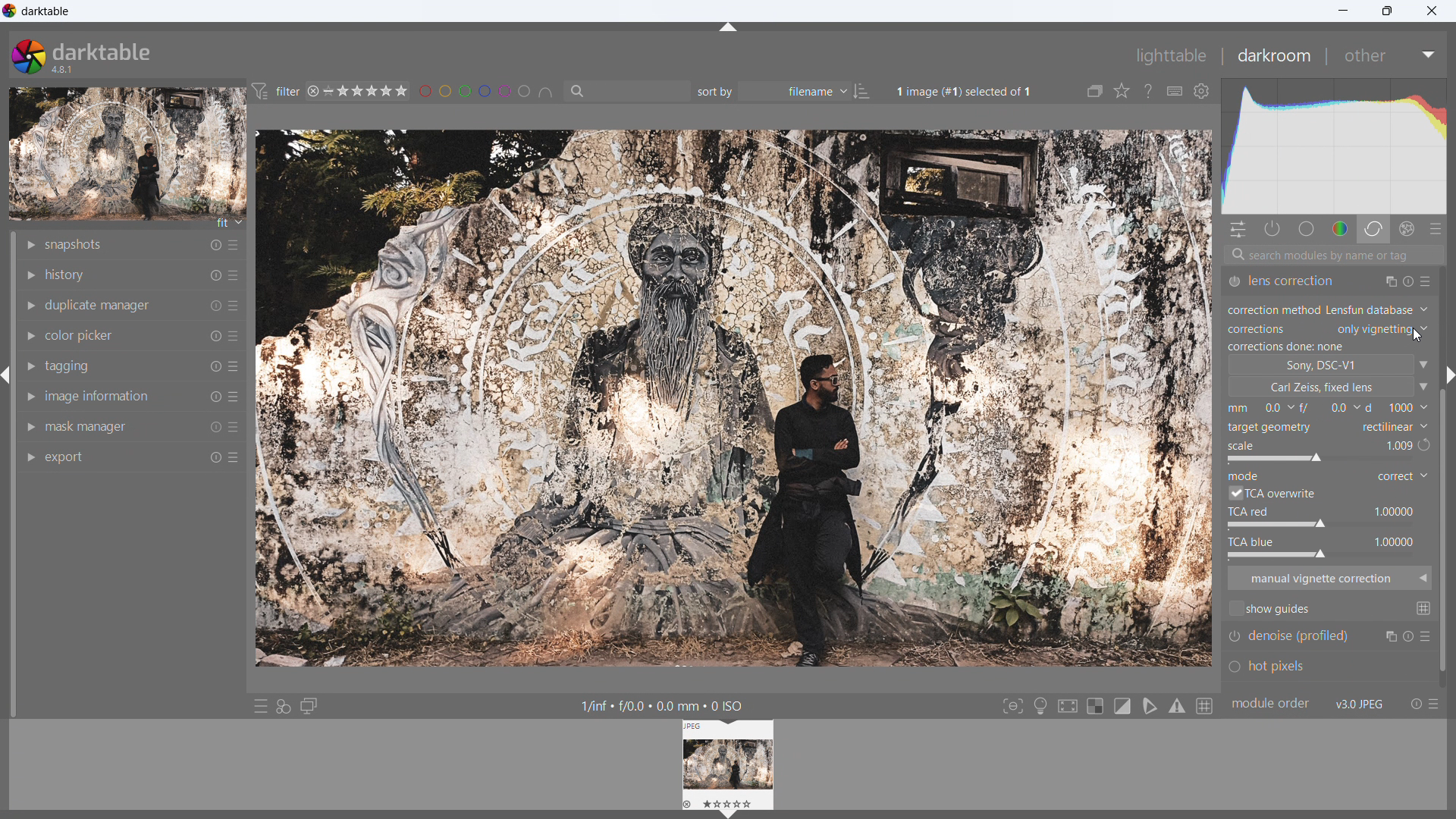 Image resolution: width=1456 pixels, height=819 pixels. What do you see at coordinates (1389, 427) in the screenshot?
I see `target geometry` at bounding box center [1389, 427].